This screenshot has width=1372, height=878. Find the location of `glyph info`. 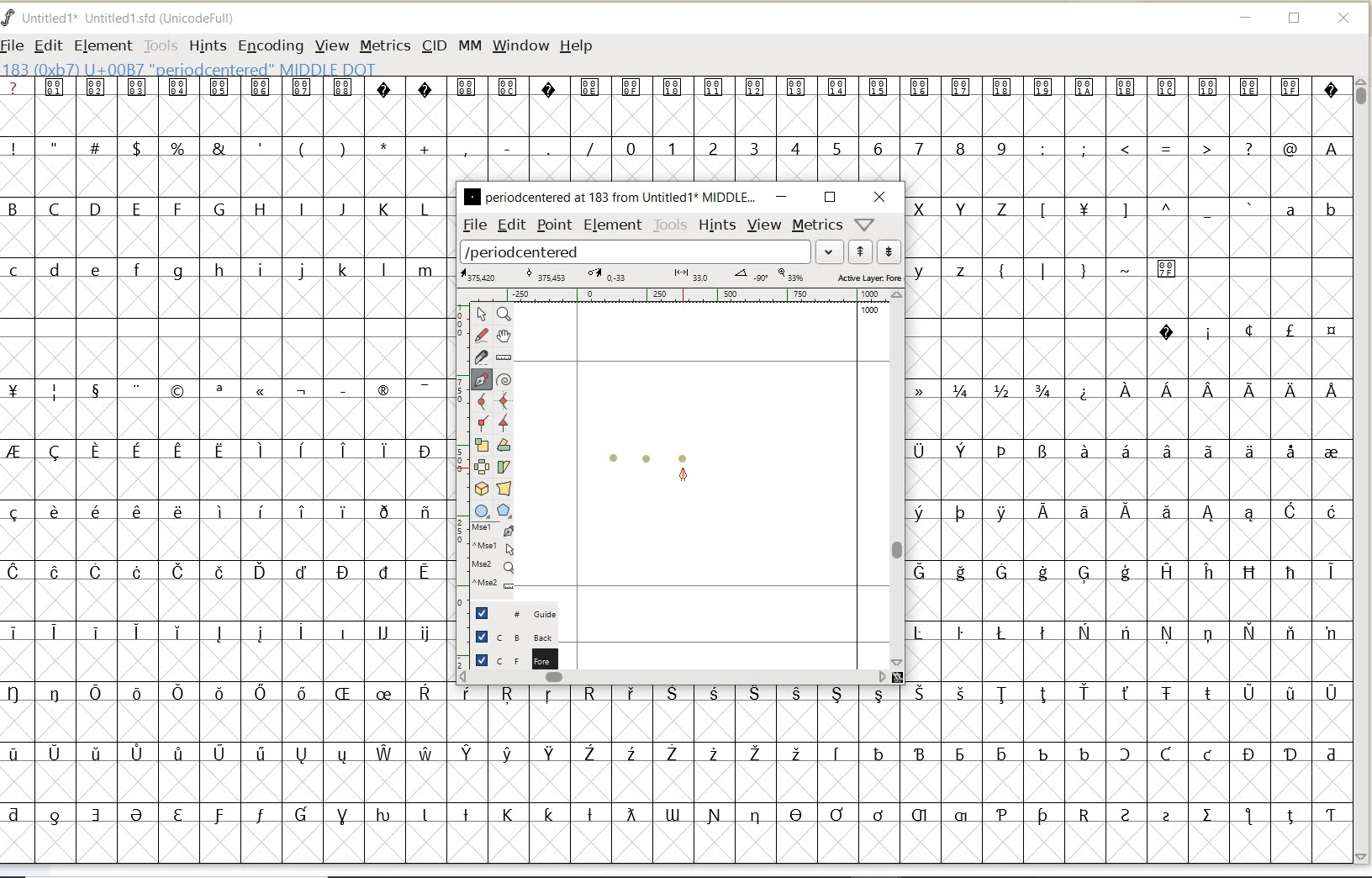

glyph info is located at coordinates (191, 70).